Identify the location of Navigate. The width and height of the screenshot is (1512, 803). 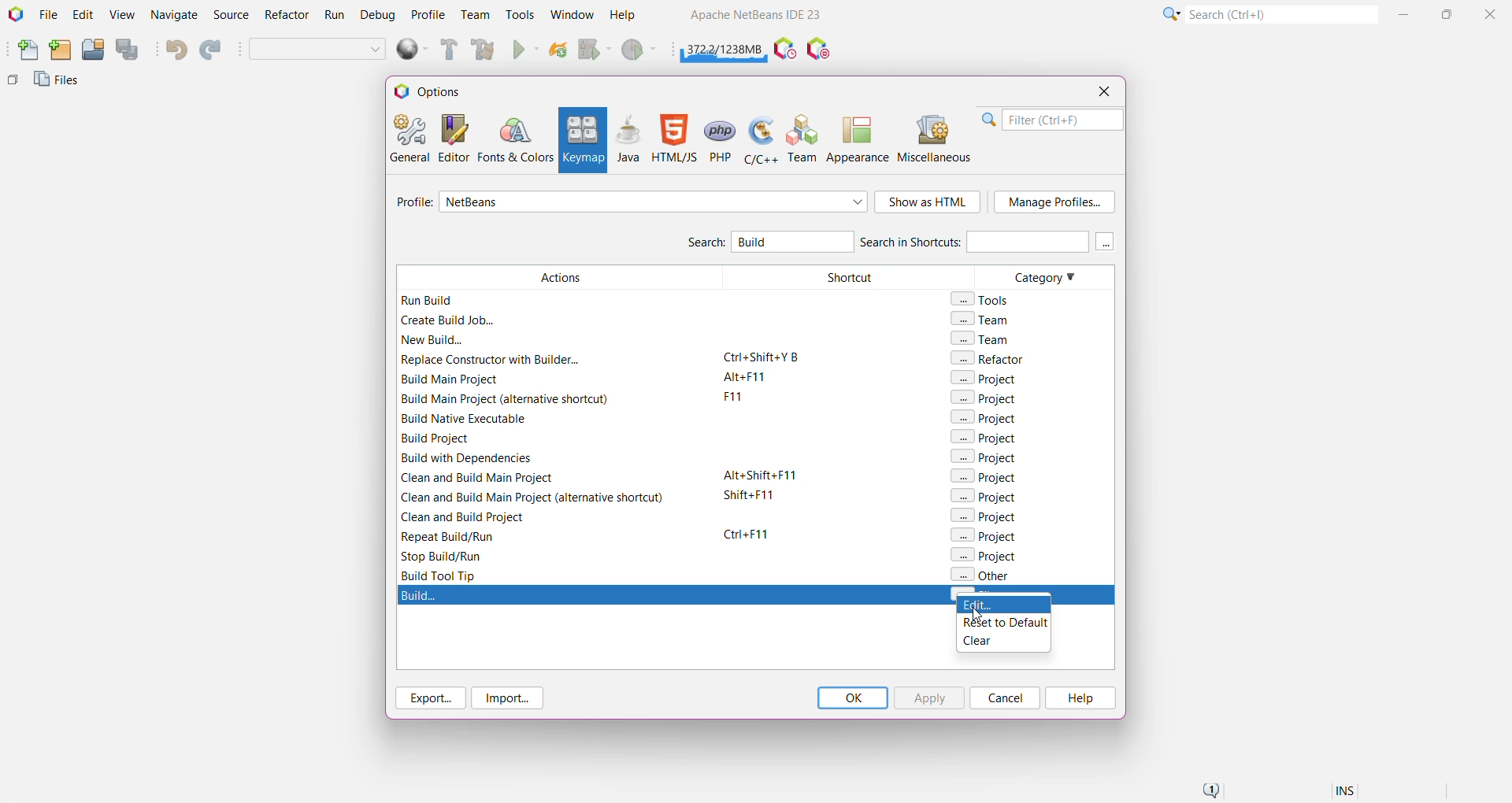
(175, 16).